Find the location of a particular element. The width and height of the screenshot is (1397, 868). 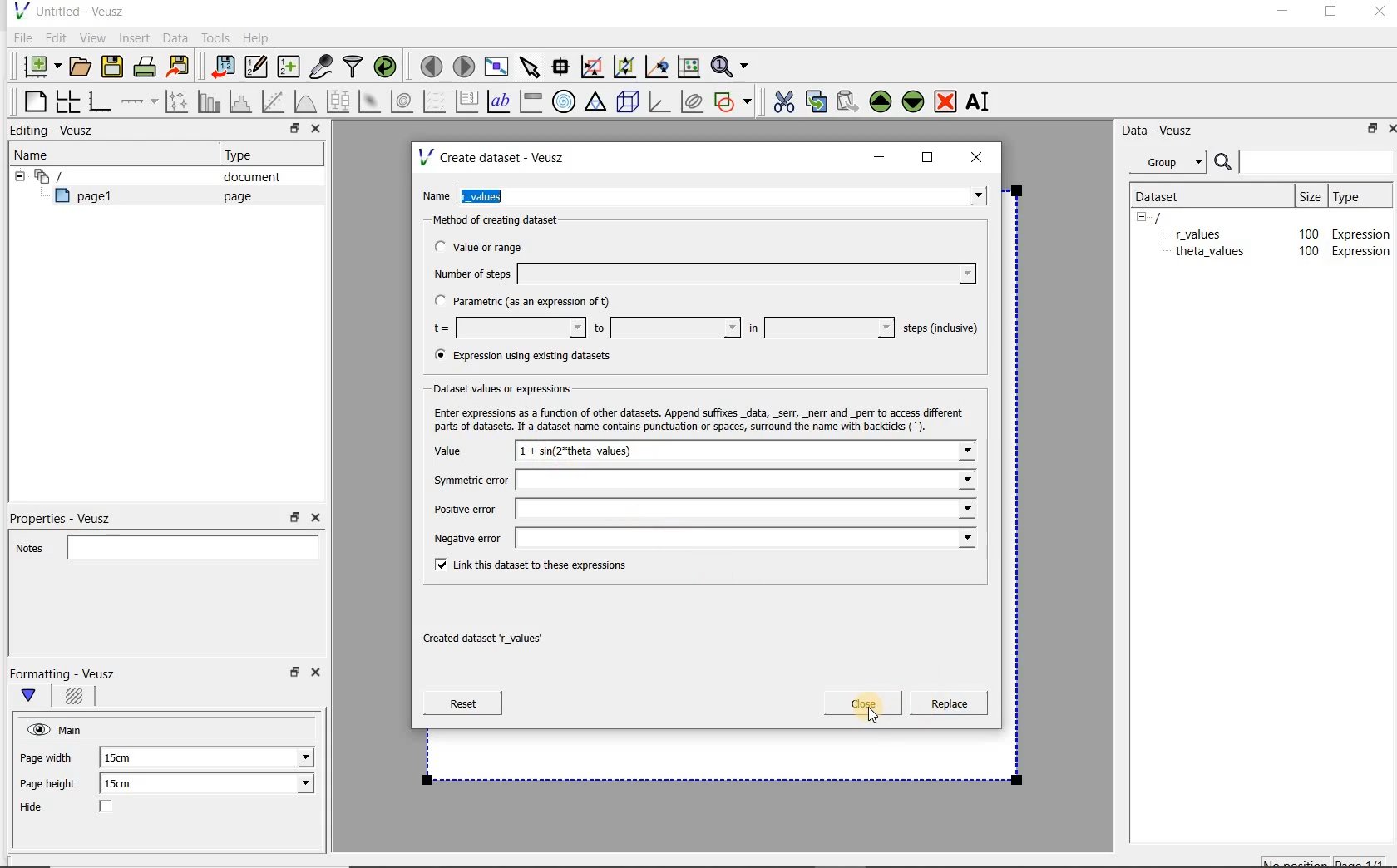

3d graph is located at coordinates (660, 103).